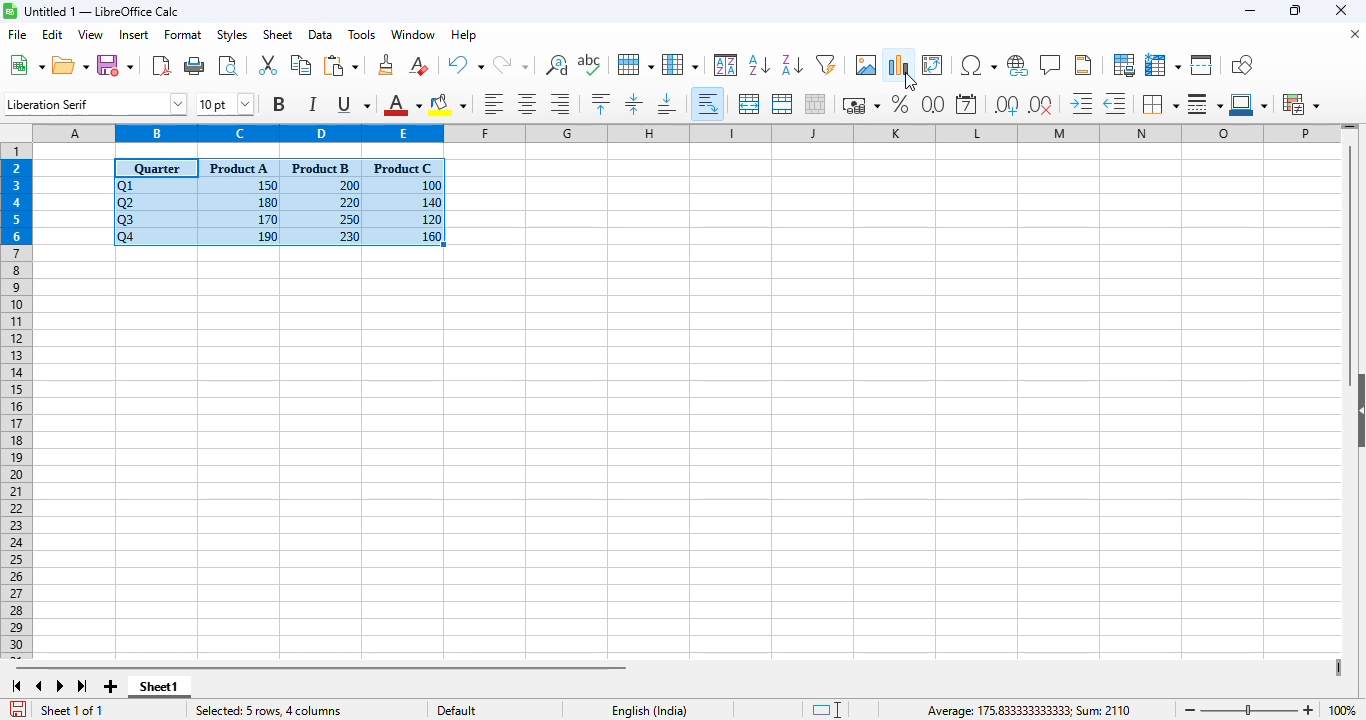  I want to click on delete decimal, so click(1041, 104).